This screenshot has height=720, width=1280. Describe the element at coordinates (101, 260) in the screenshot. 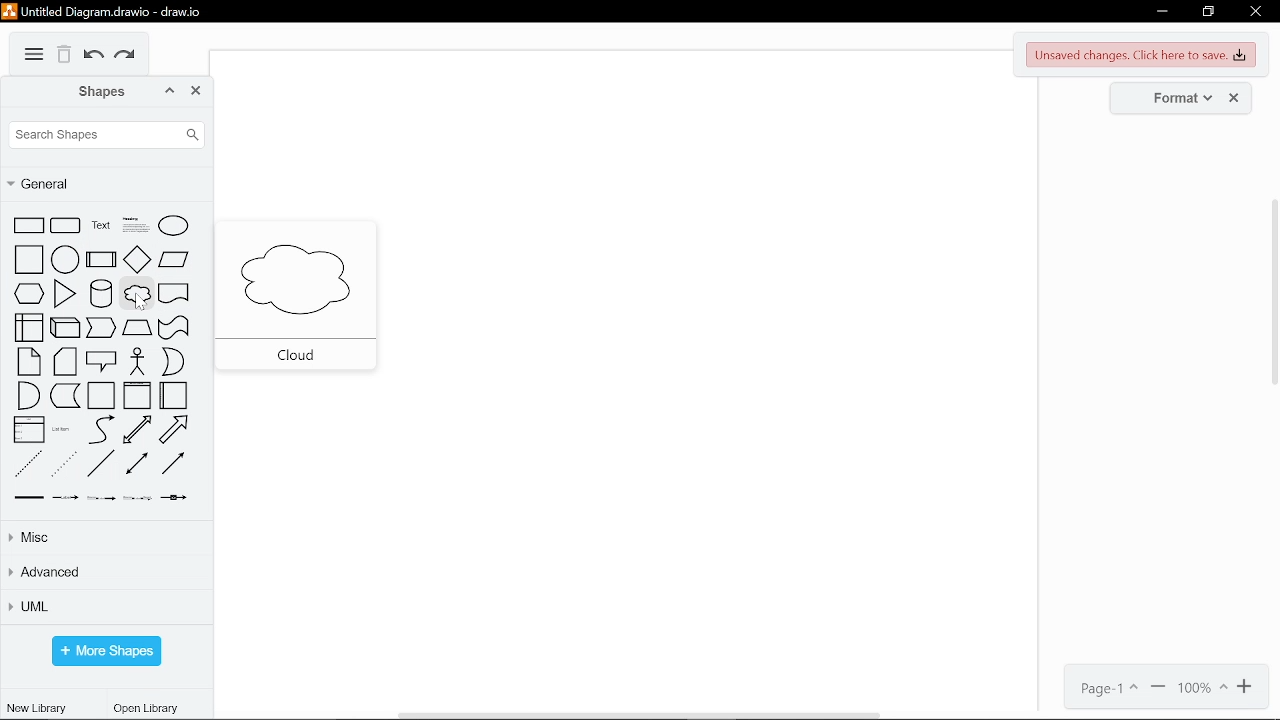

I see `process` at that location.